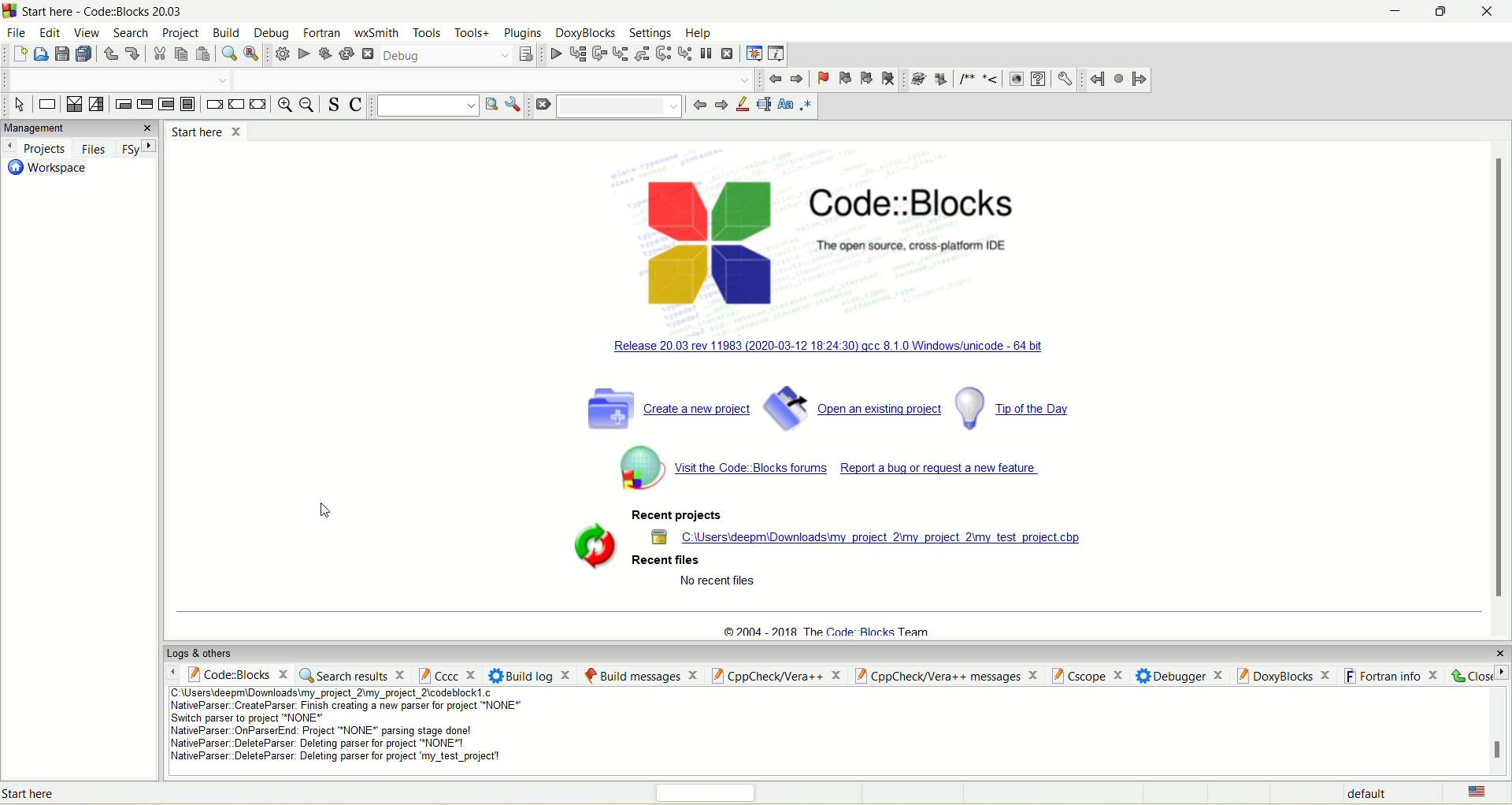  I want to click on tools+, so click(475, 34).